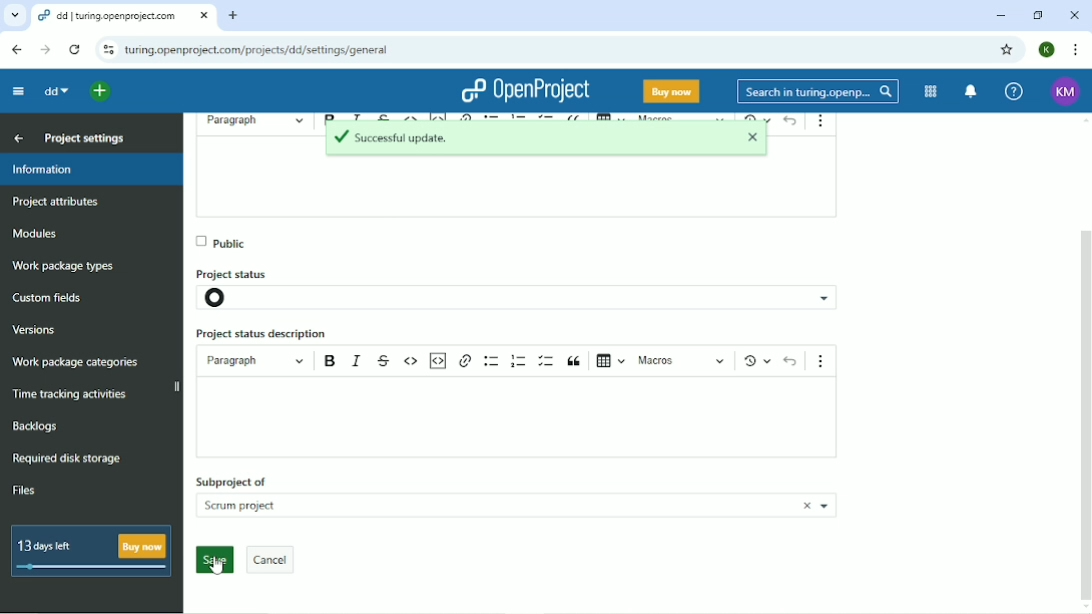  What do you see at coordinates (932, 91) in the screenshot?
I see `Modules` at bounding box center [932, 91].